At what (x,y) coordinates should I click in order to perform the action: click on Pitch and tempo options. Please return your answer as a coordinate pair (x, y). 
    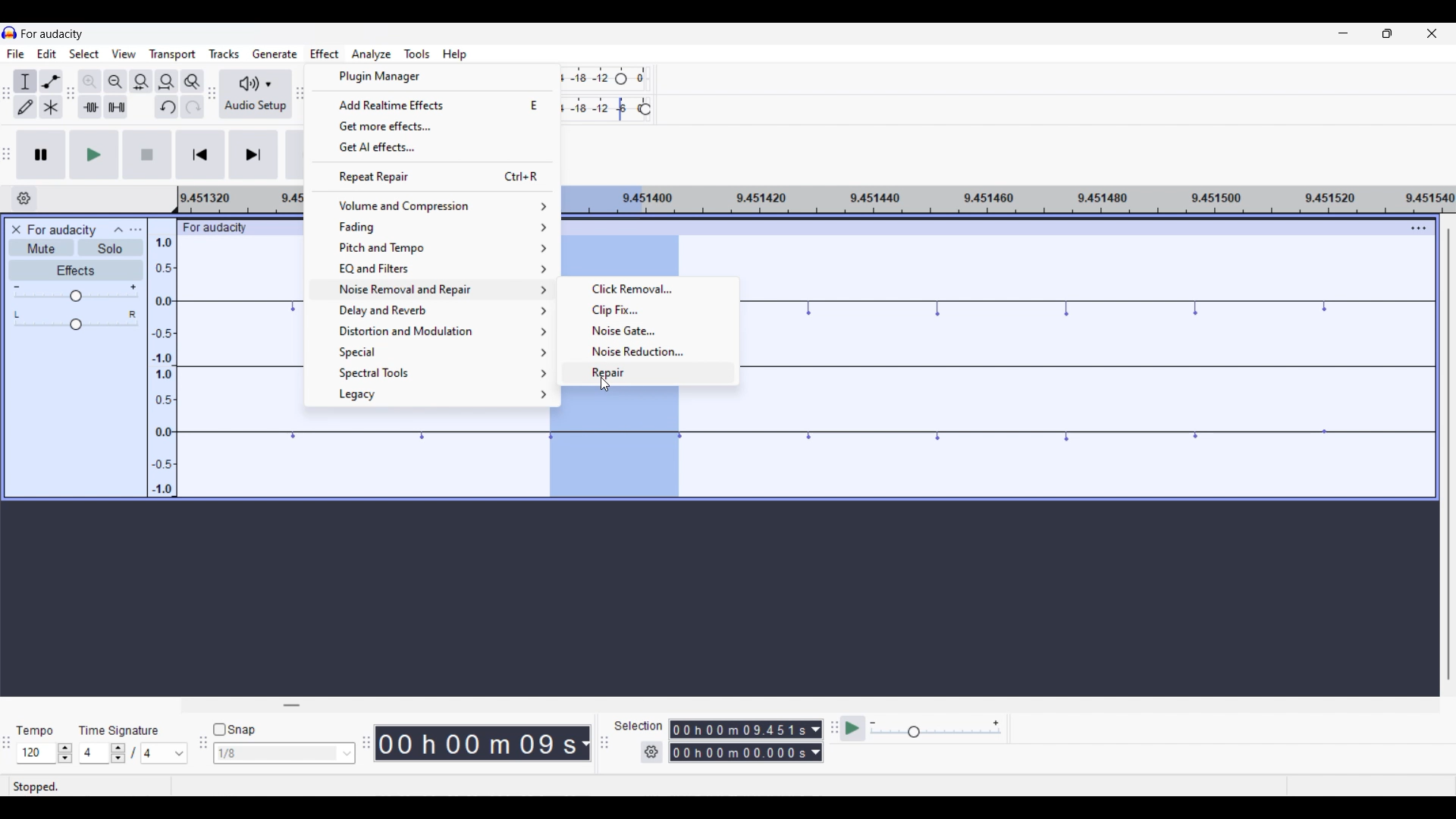
    Looking at the image, I should click on (433, 248).